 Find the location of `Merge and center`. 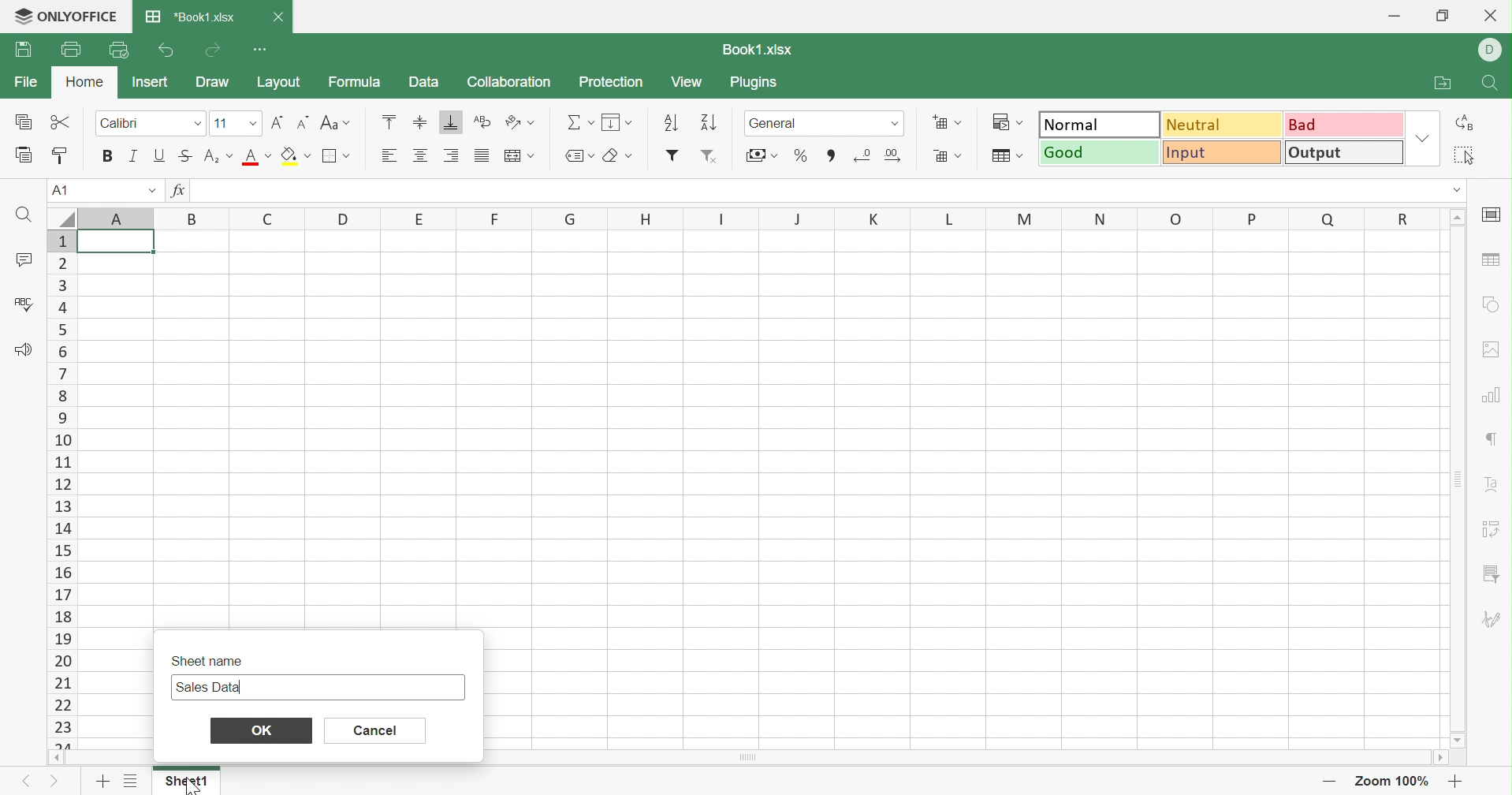

Merge and center is located at coordinates (519, 155).